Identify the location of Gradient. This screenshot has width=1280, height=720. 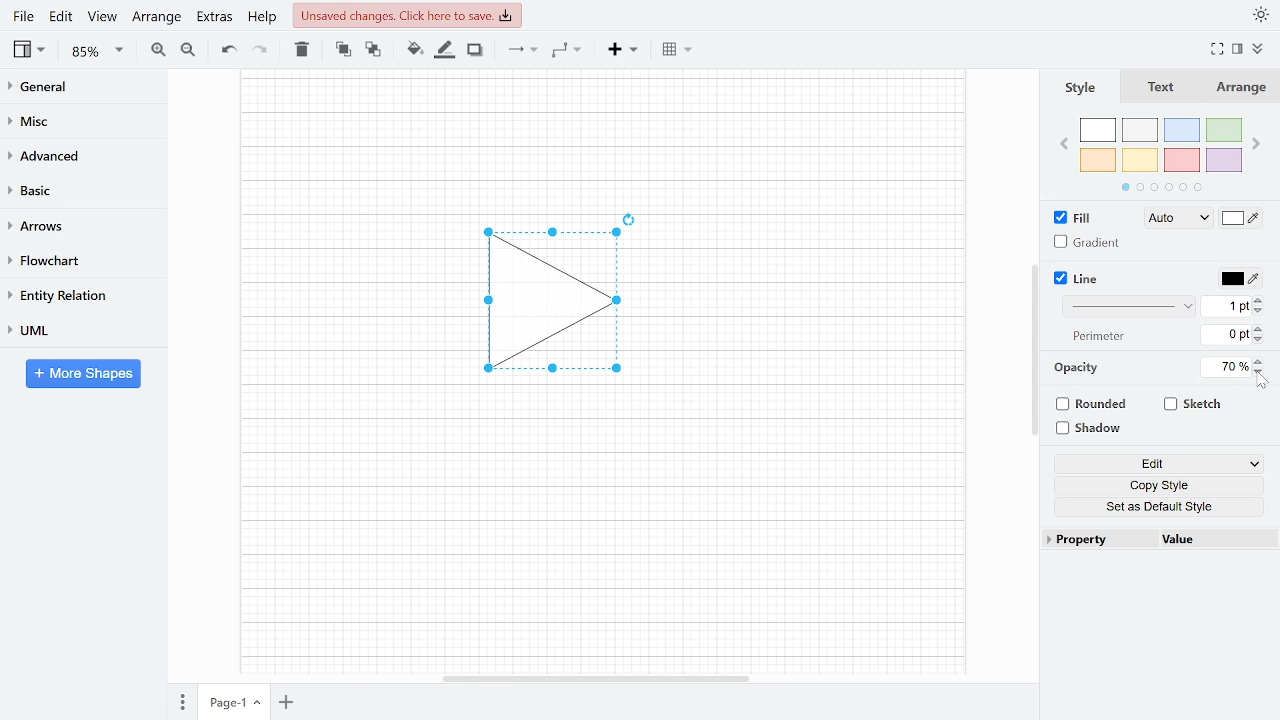
(1088, 242).